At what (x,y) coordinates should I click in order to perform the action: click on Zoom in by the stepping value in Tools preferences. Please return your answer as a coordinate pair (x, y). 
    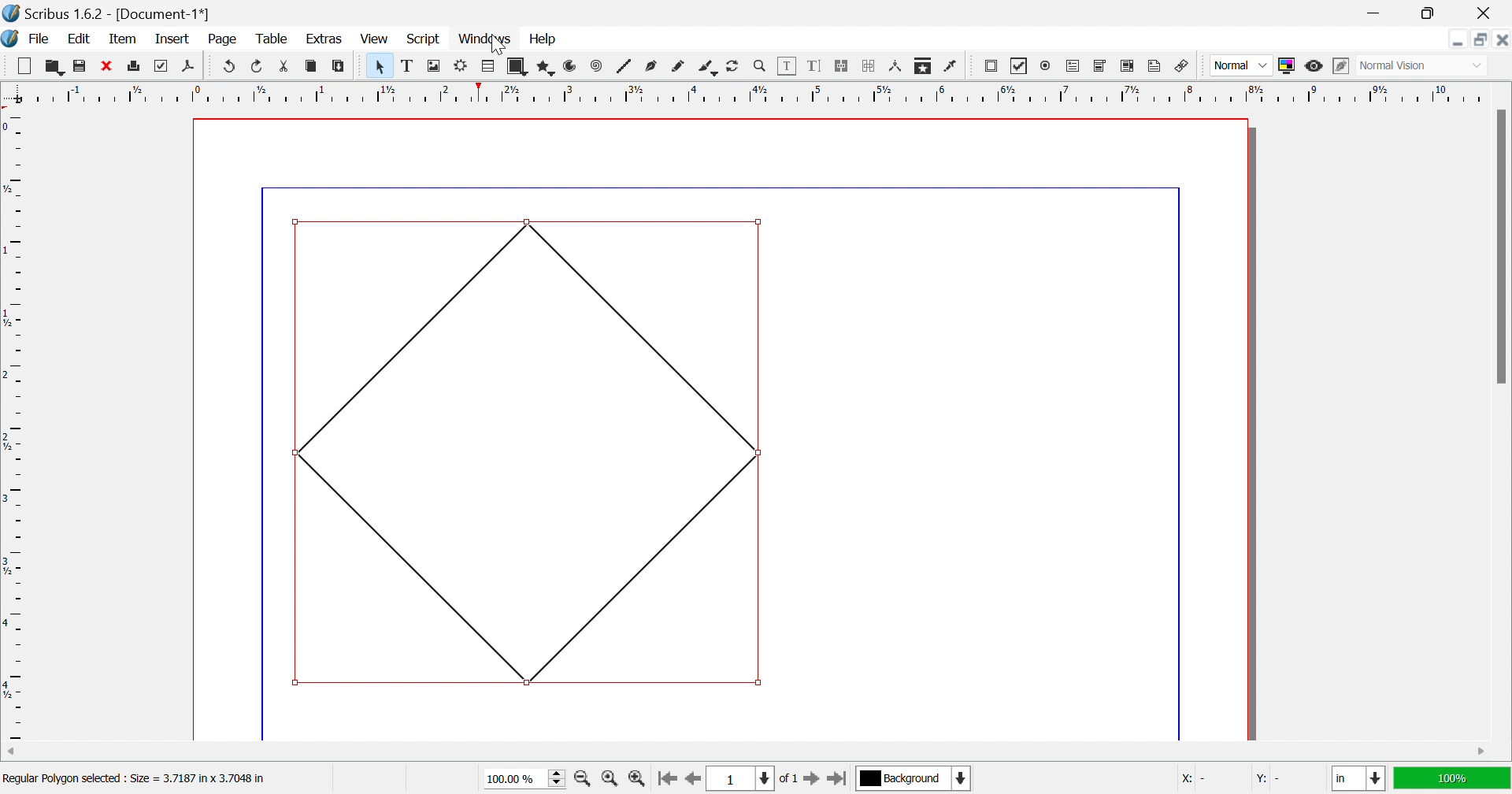
    Looking at the image, I should click on (636, 782).